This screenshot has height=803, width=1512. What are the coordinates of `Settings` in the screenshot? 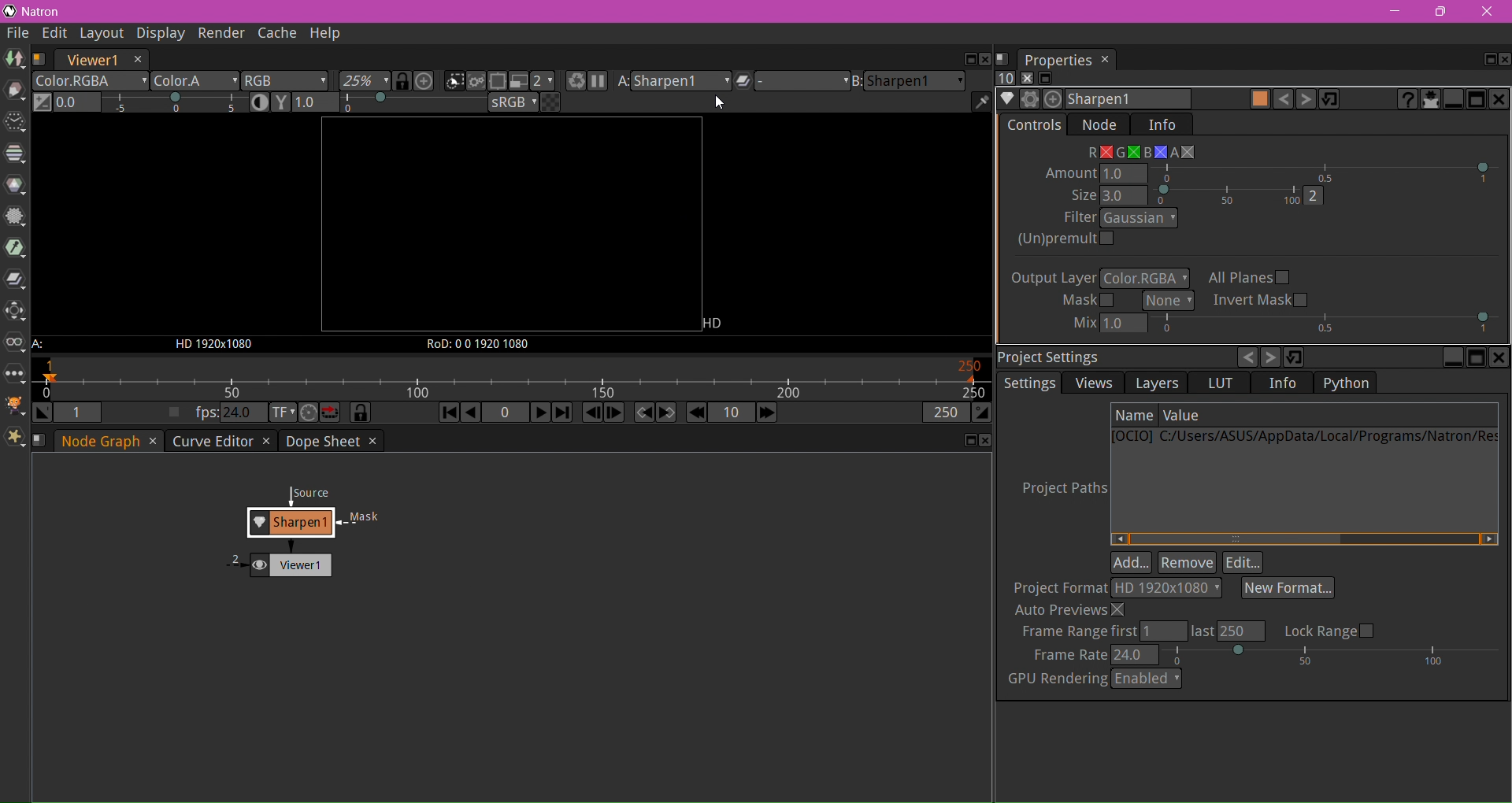 It's located at (1032, 383).